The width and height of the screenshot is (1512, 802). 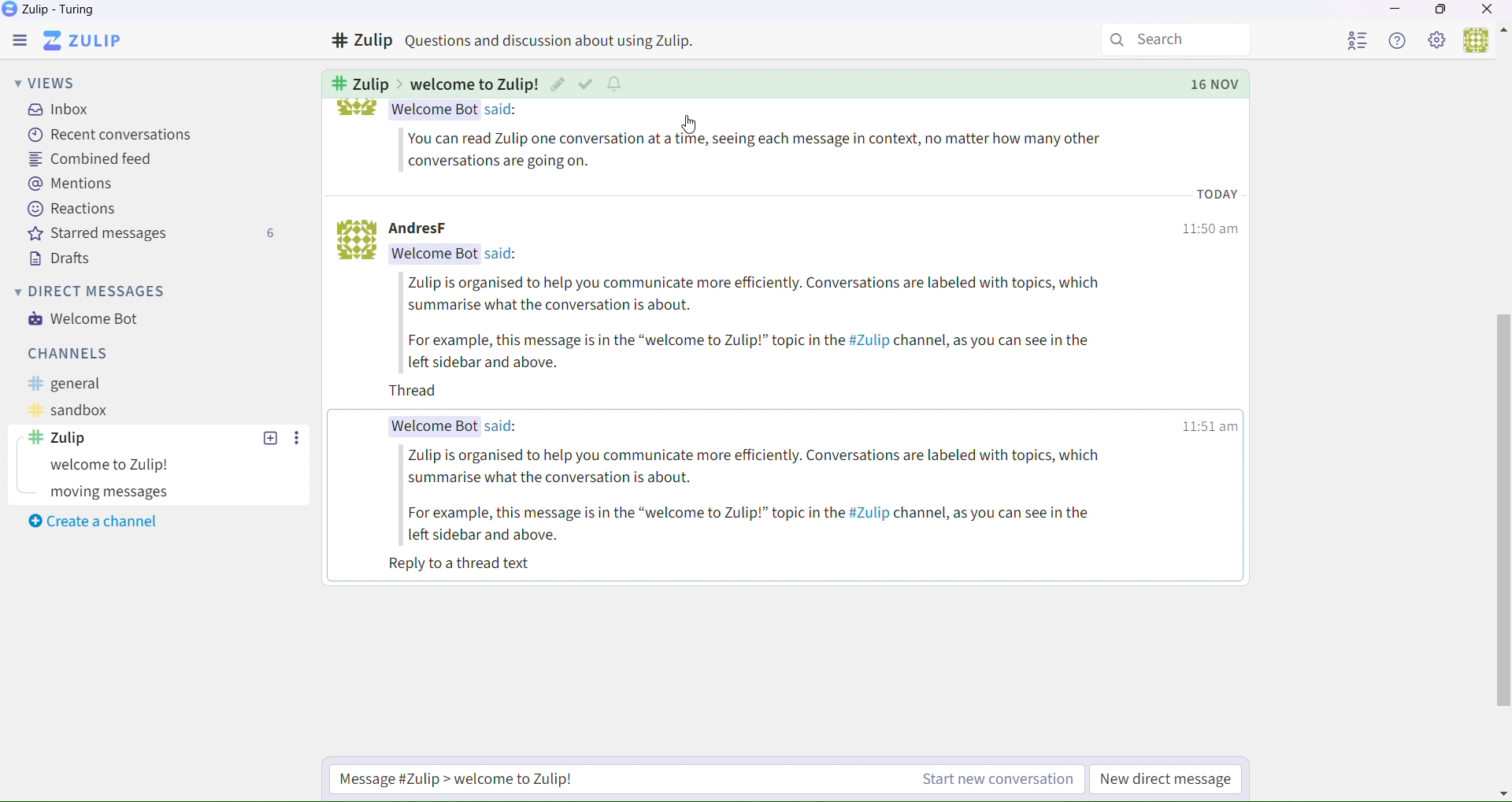 What do you see at coordinates (700, 127) in the screenshot?
I see `Cursor` at bounding box center [700, 127].